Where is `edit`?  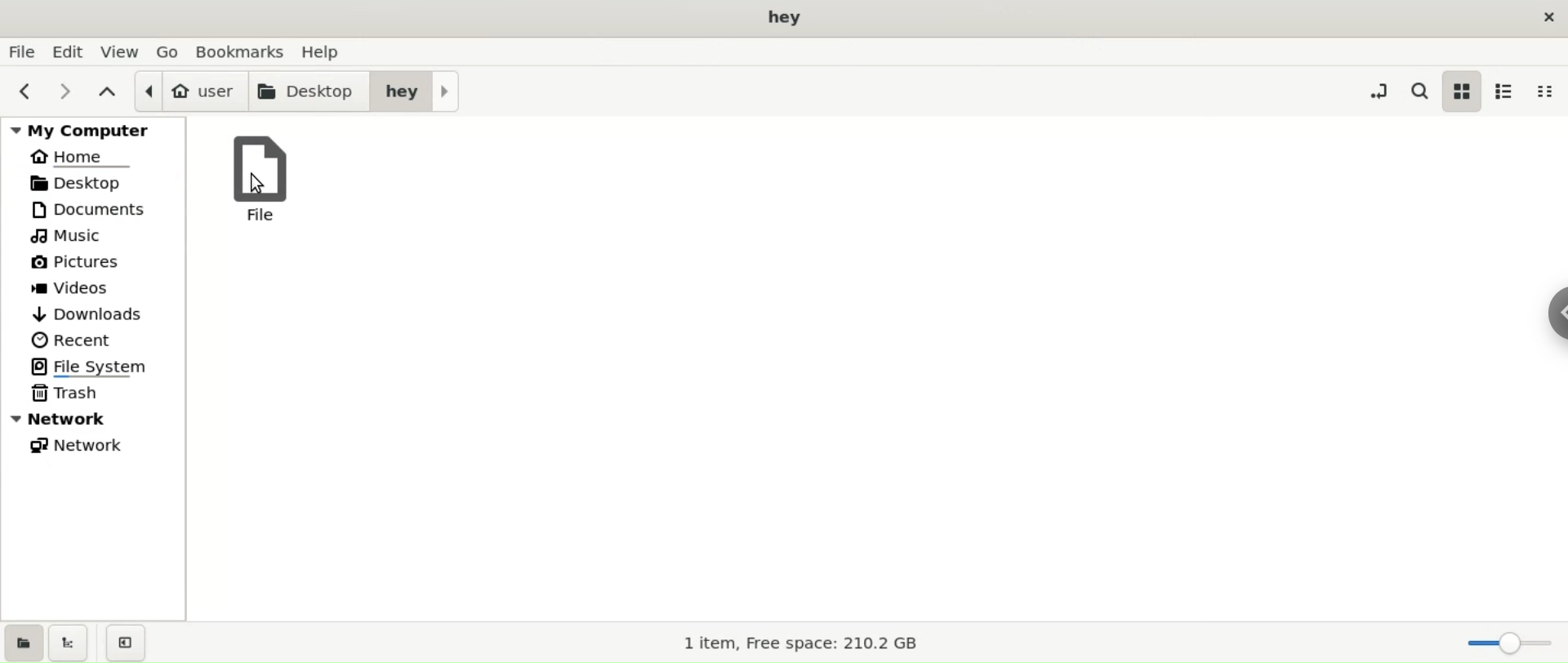 edit is located at coordinates (66, 51).